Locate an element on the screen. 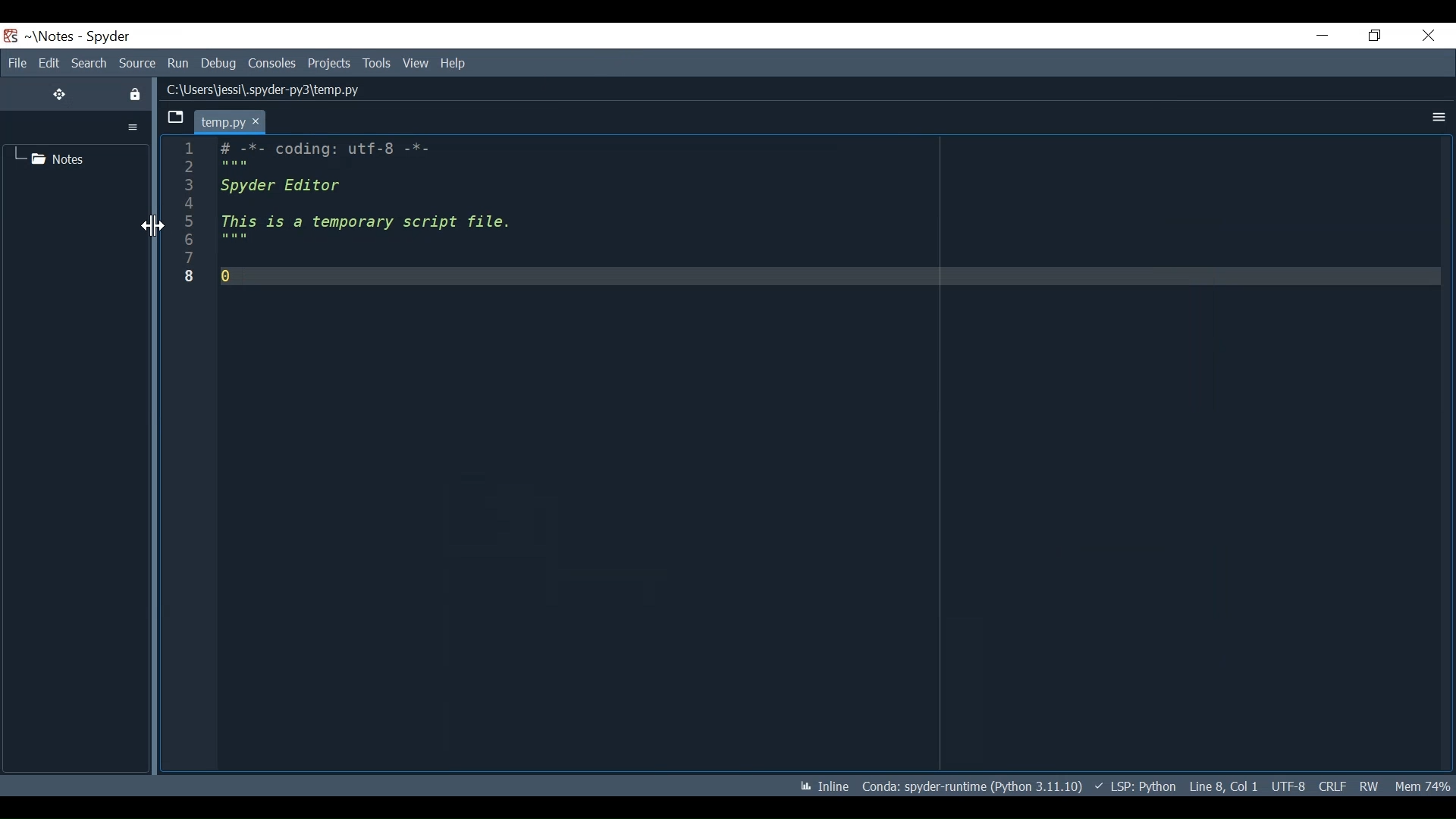 This screenshot has height=819, width=1456. UTF-8 is located at coordinates (1287, 783).